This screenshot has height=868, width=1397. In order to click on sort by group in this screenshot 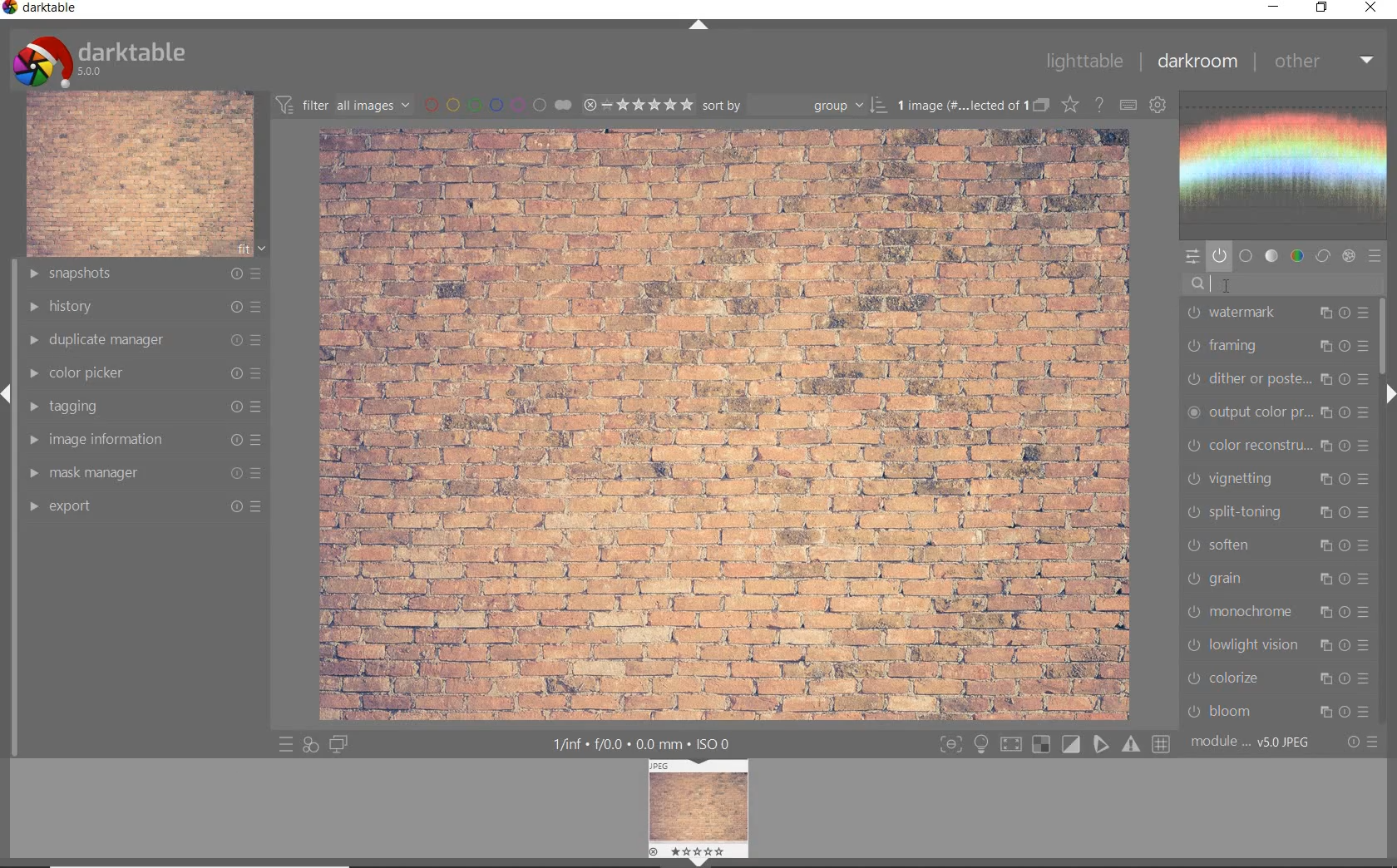, I will do `click(794, 106)`.